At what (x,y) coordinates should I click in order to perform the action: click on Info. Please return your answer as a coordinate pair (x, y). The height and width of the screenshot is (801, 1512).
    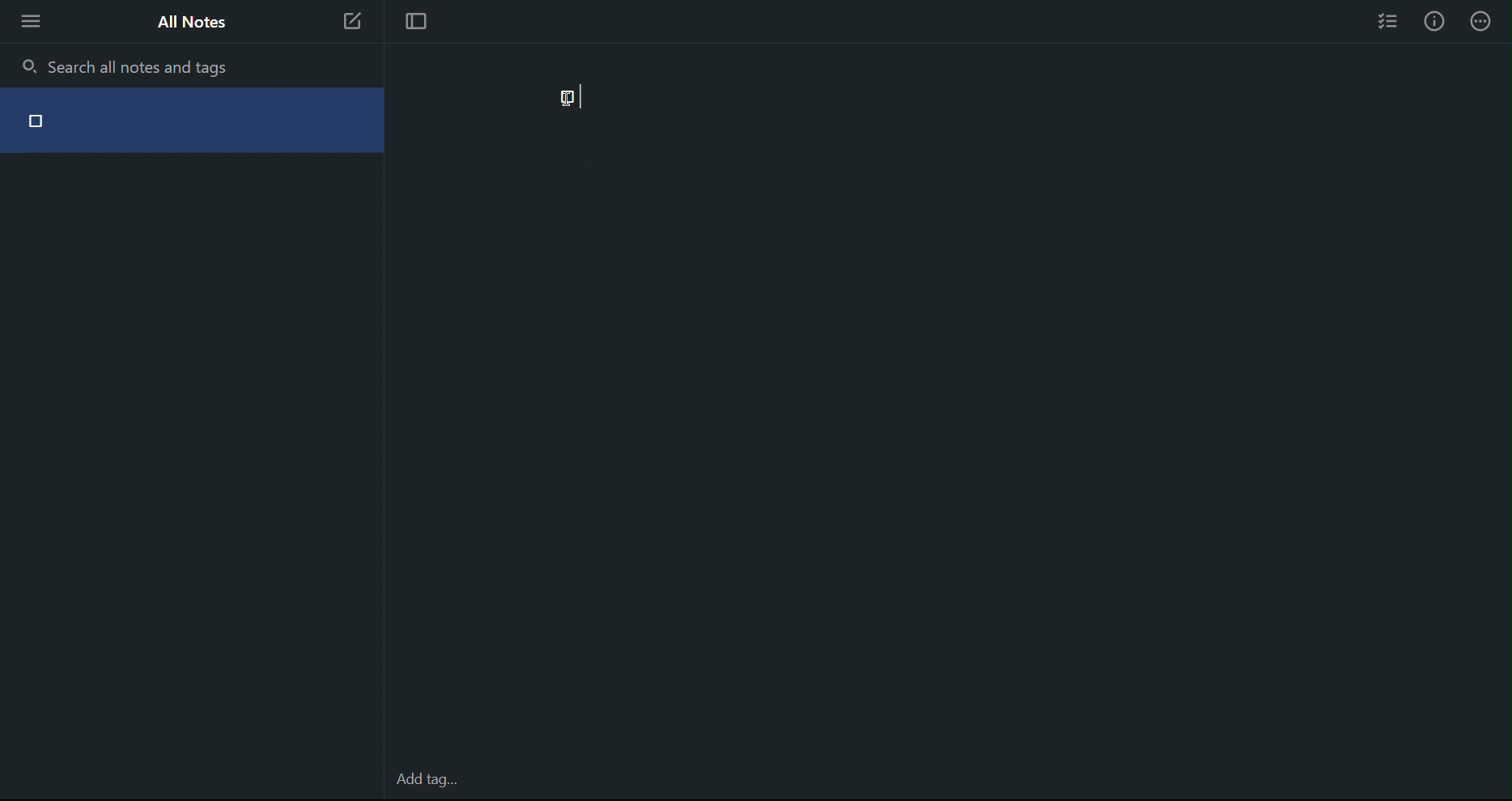
    Looking at the image, I should click on (1437, 22).